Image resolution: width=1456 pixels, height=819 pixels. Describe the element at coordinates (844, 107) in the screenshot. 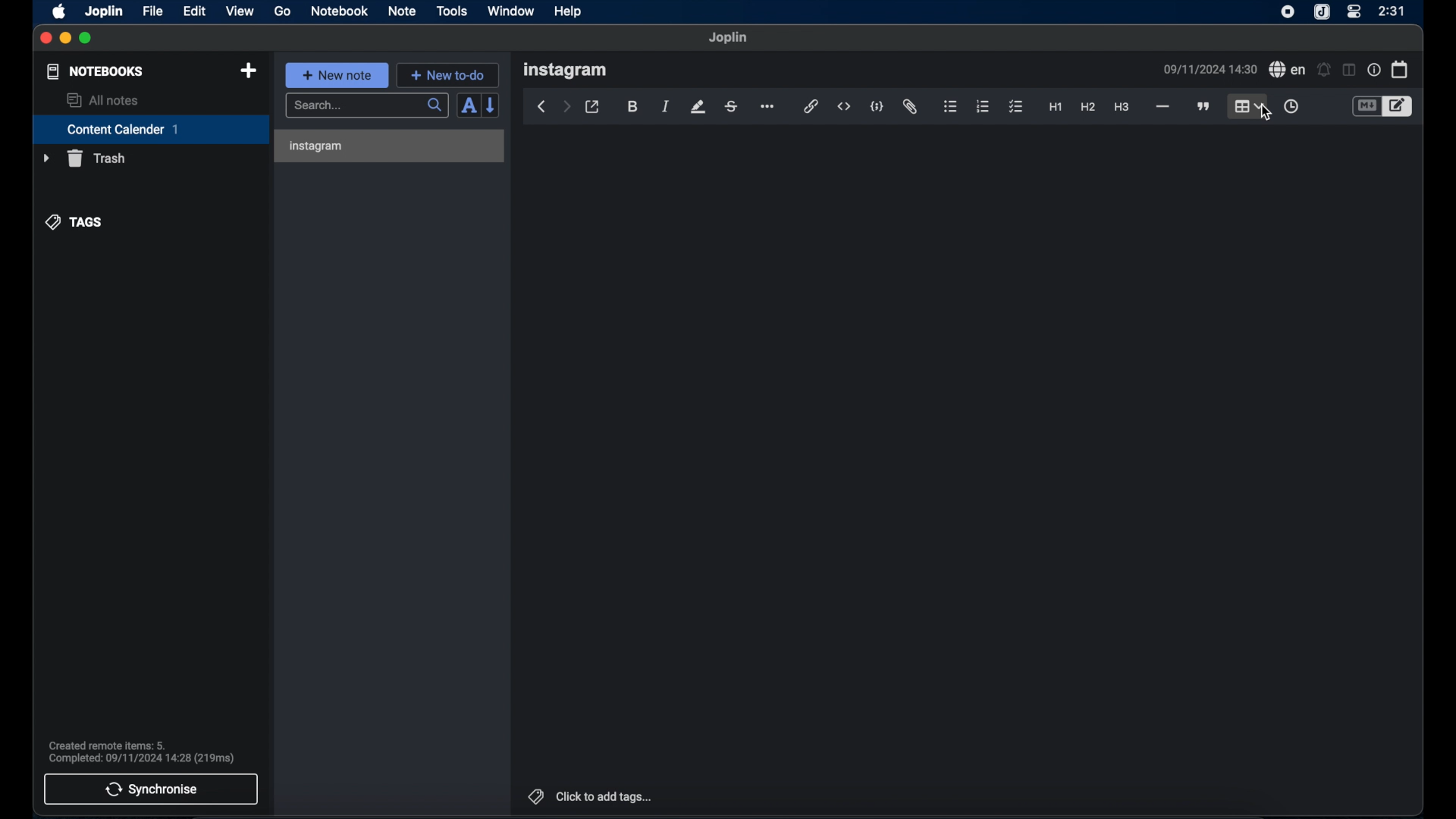

I see `inline code` at that location.